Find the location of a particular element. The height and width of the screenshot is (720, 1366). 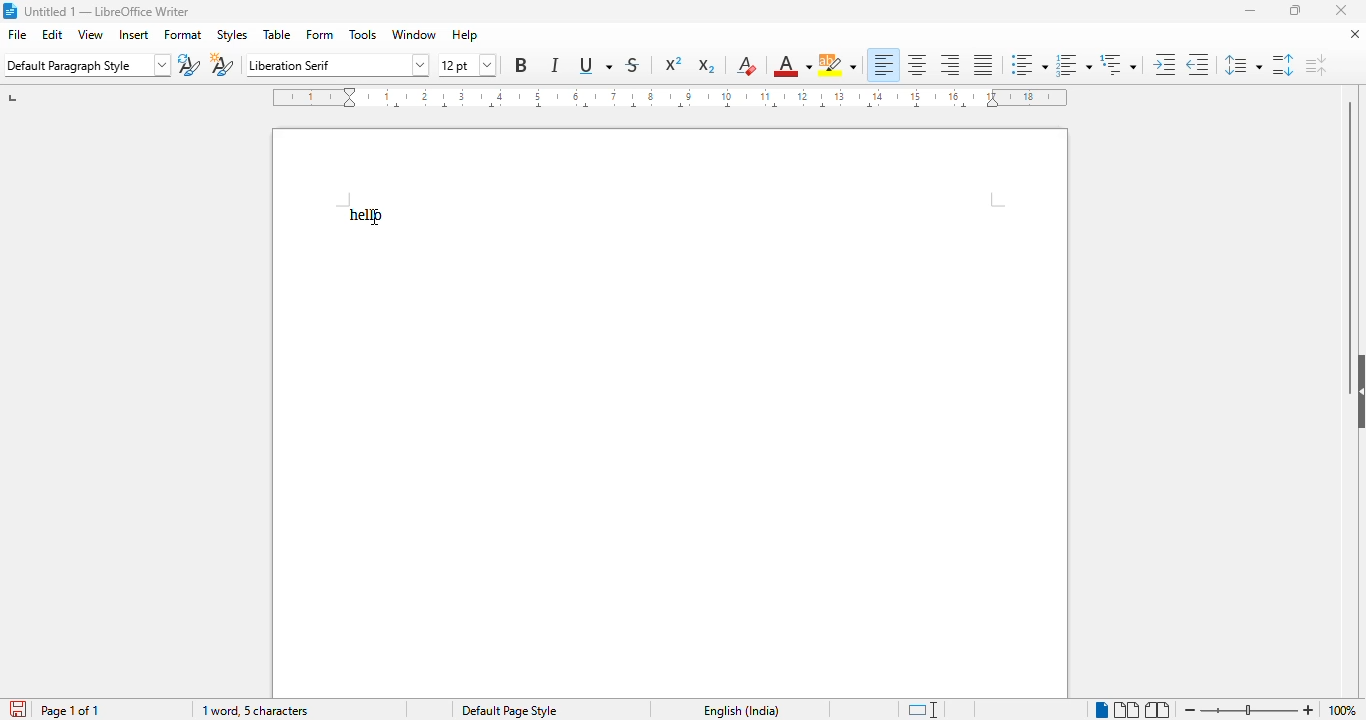

hello is located at coordinates (365, 214).